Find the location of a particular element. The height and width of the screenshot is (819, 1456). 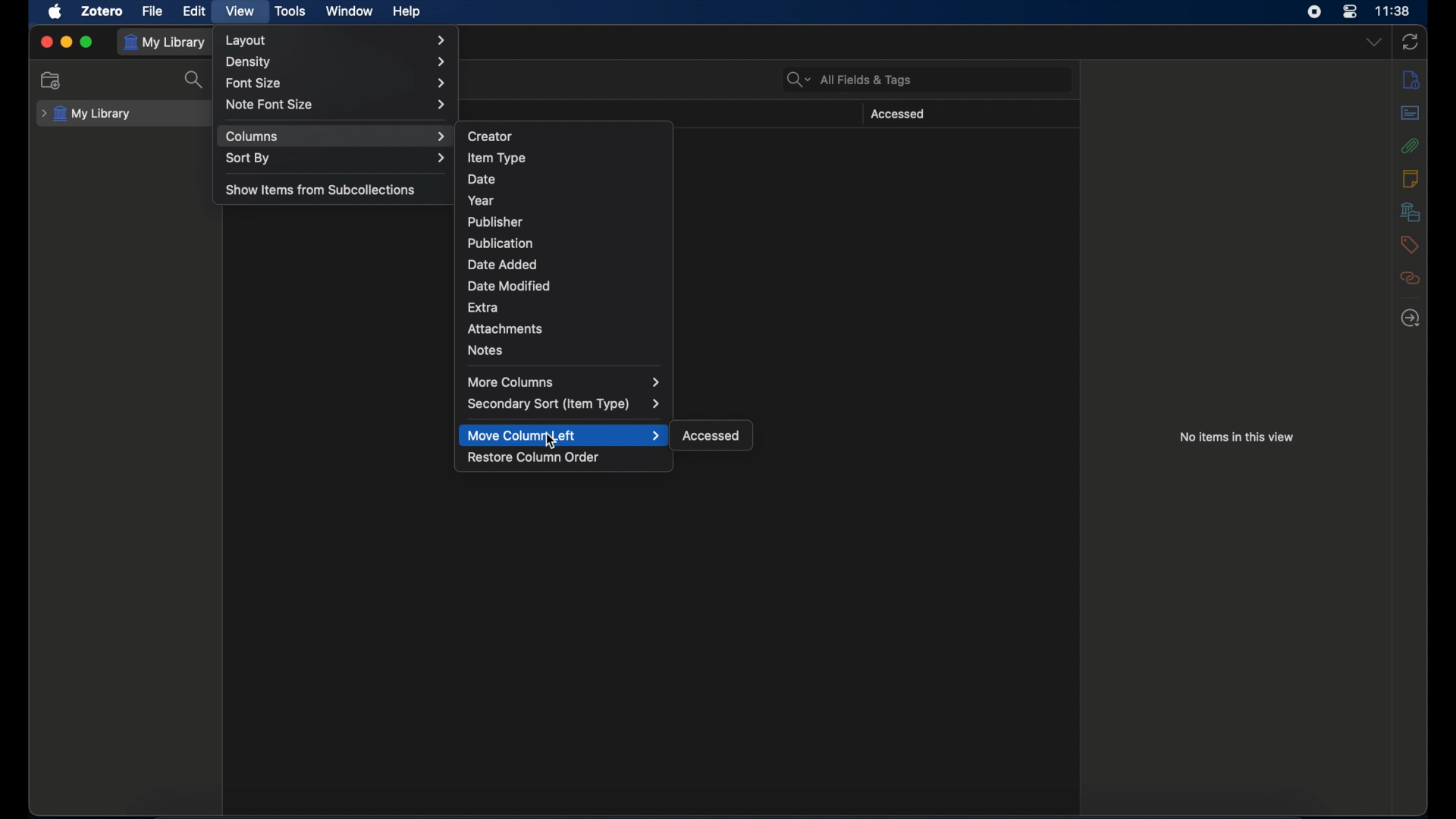

accessed is located at coordinates (713, 436).